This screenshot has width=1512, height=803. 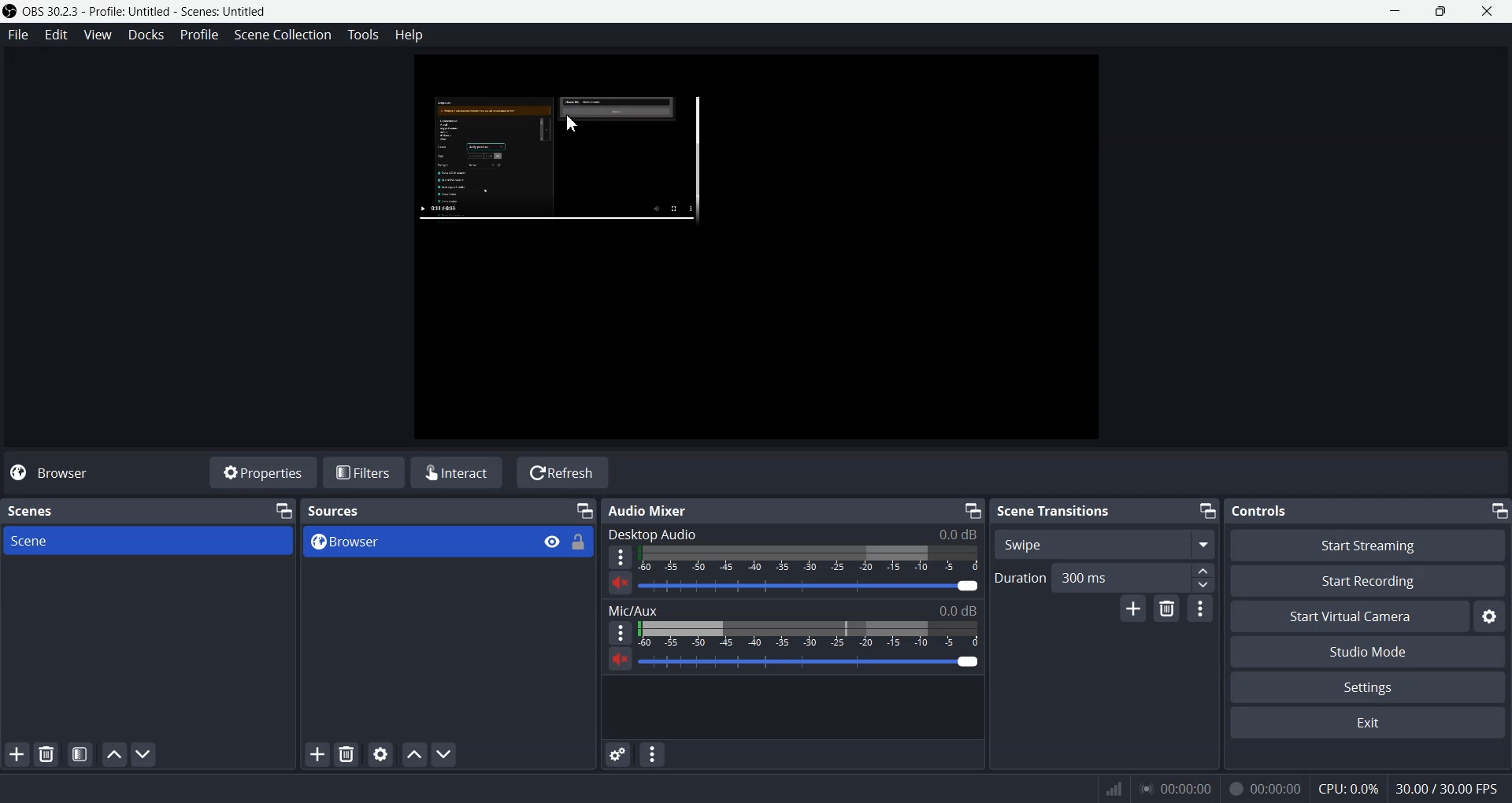 What do you see at coordinates (814, 634) in the screenshot?
I see `Volume Indicator` at bounding box center [814, 634].